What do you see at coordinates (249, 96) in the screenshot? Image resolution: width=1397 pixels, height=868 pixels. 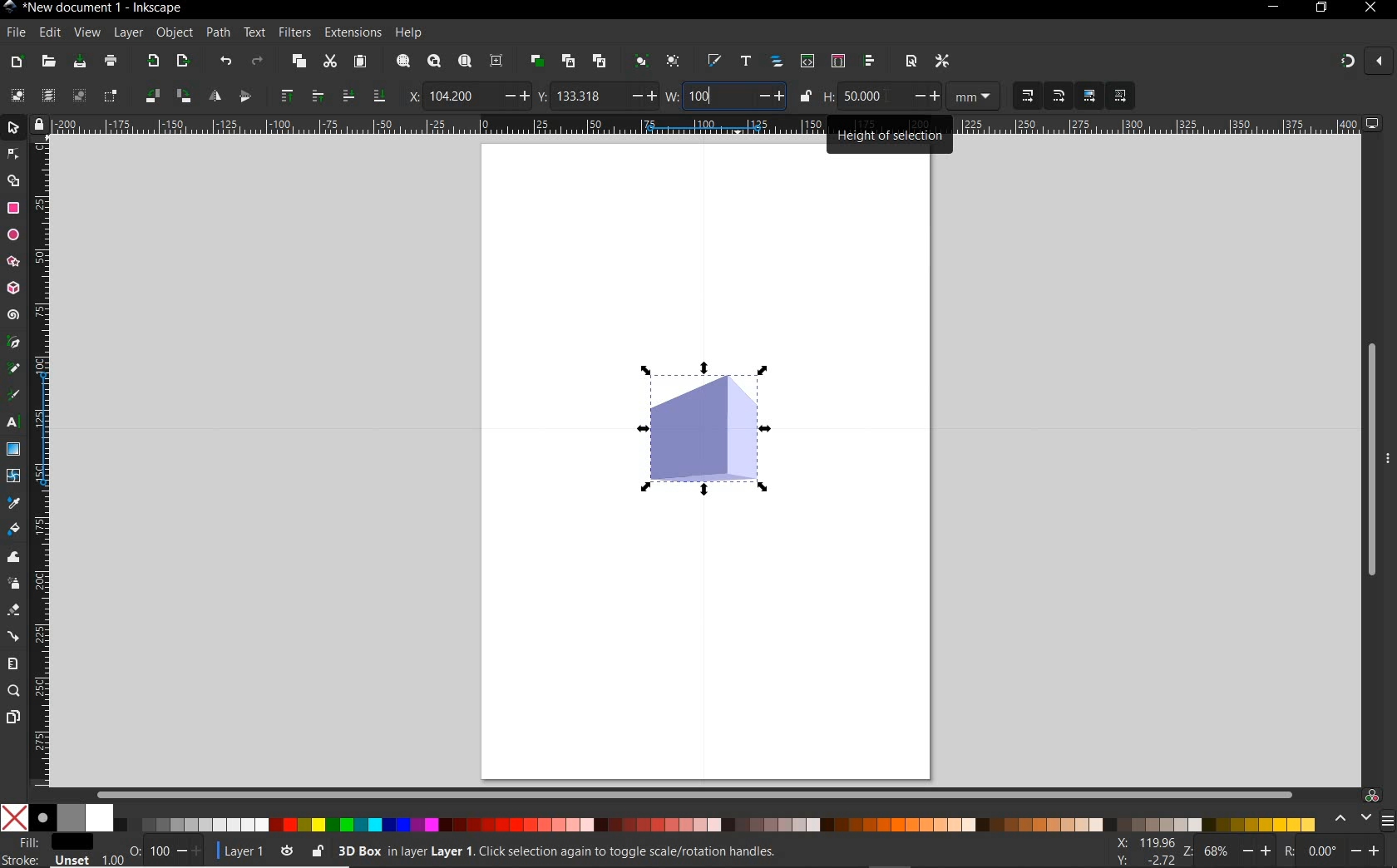 I see `object flip` at bounding box center [249, 96].